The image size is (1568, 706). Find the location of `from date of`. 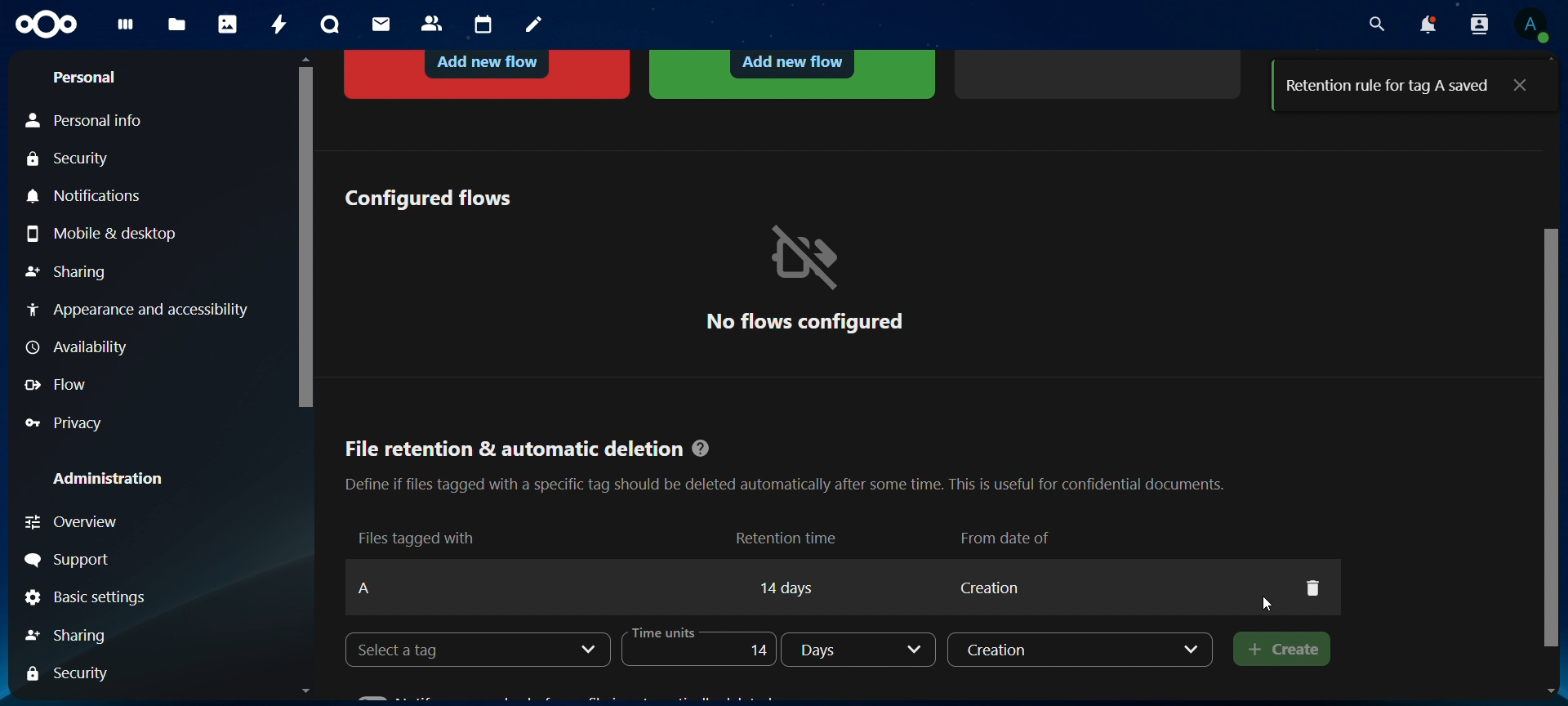

from date of is located at coordinates (1009, 535).